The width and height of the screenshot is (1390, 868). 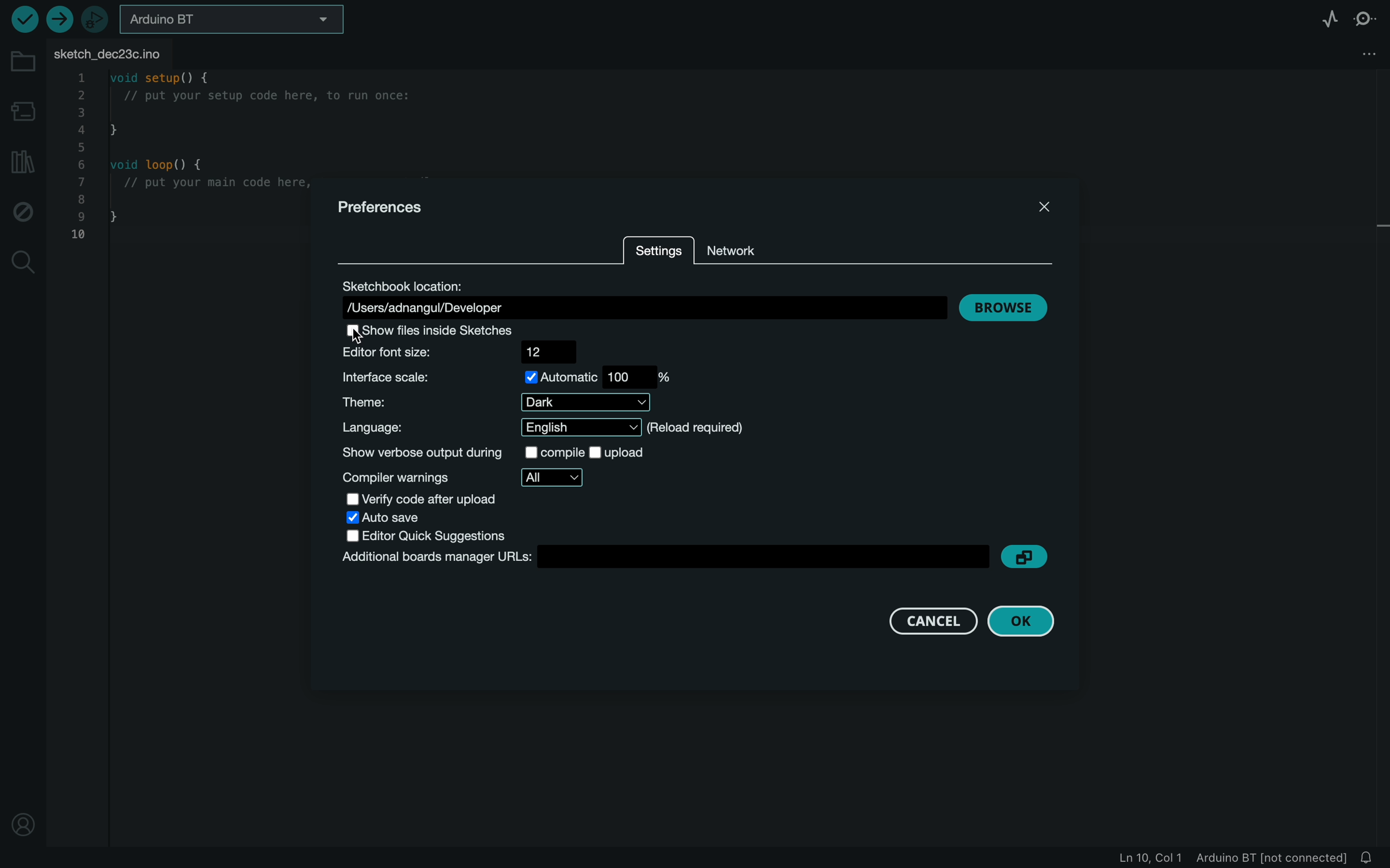 What do you see at coordinates (432, 501) in the screenshot?
I see `verify code` at bounding box center [432, 501].